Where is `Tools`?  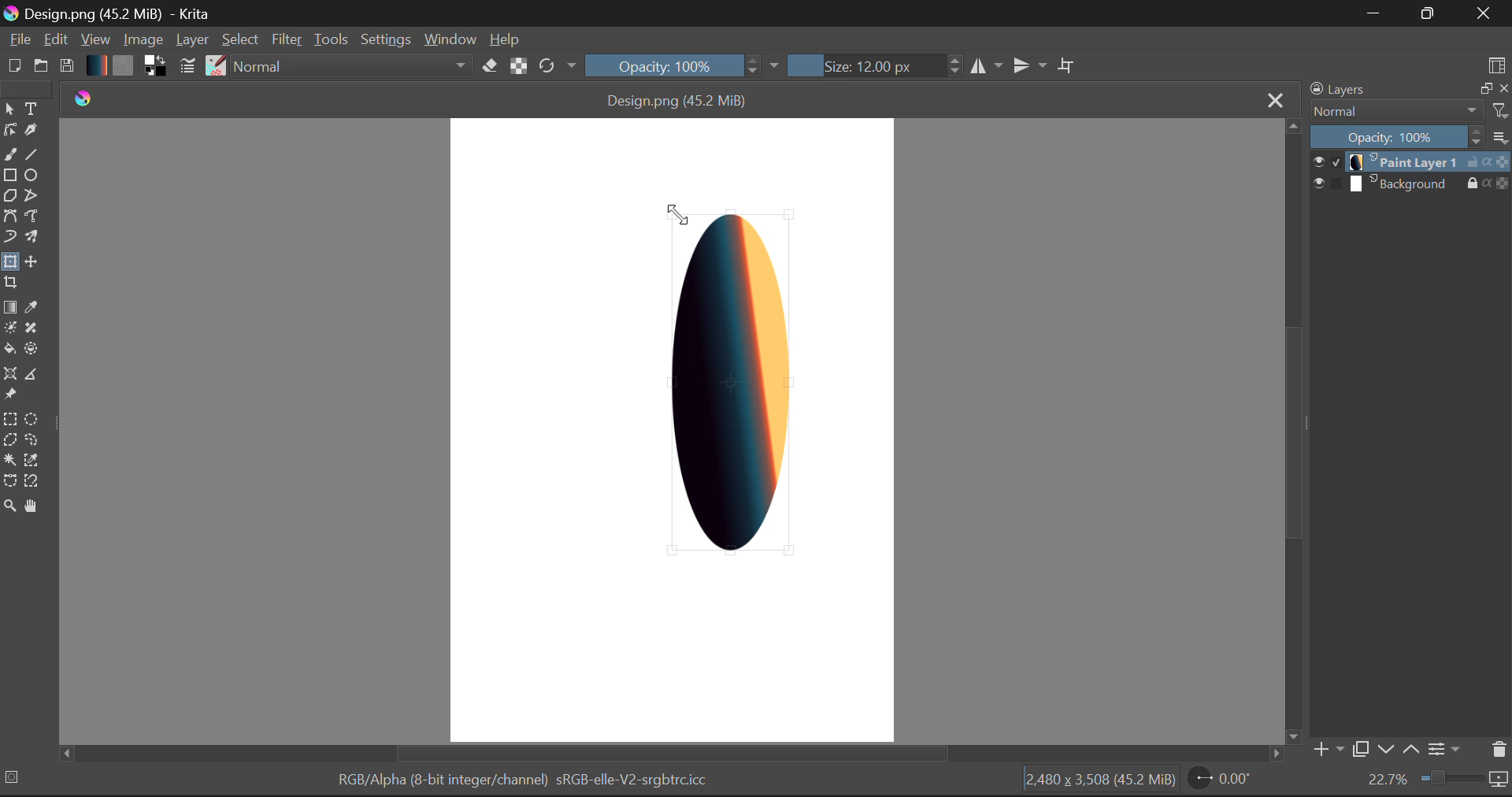
Tools is located at coordinates (331, 38).